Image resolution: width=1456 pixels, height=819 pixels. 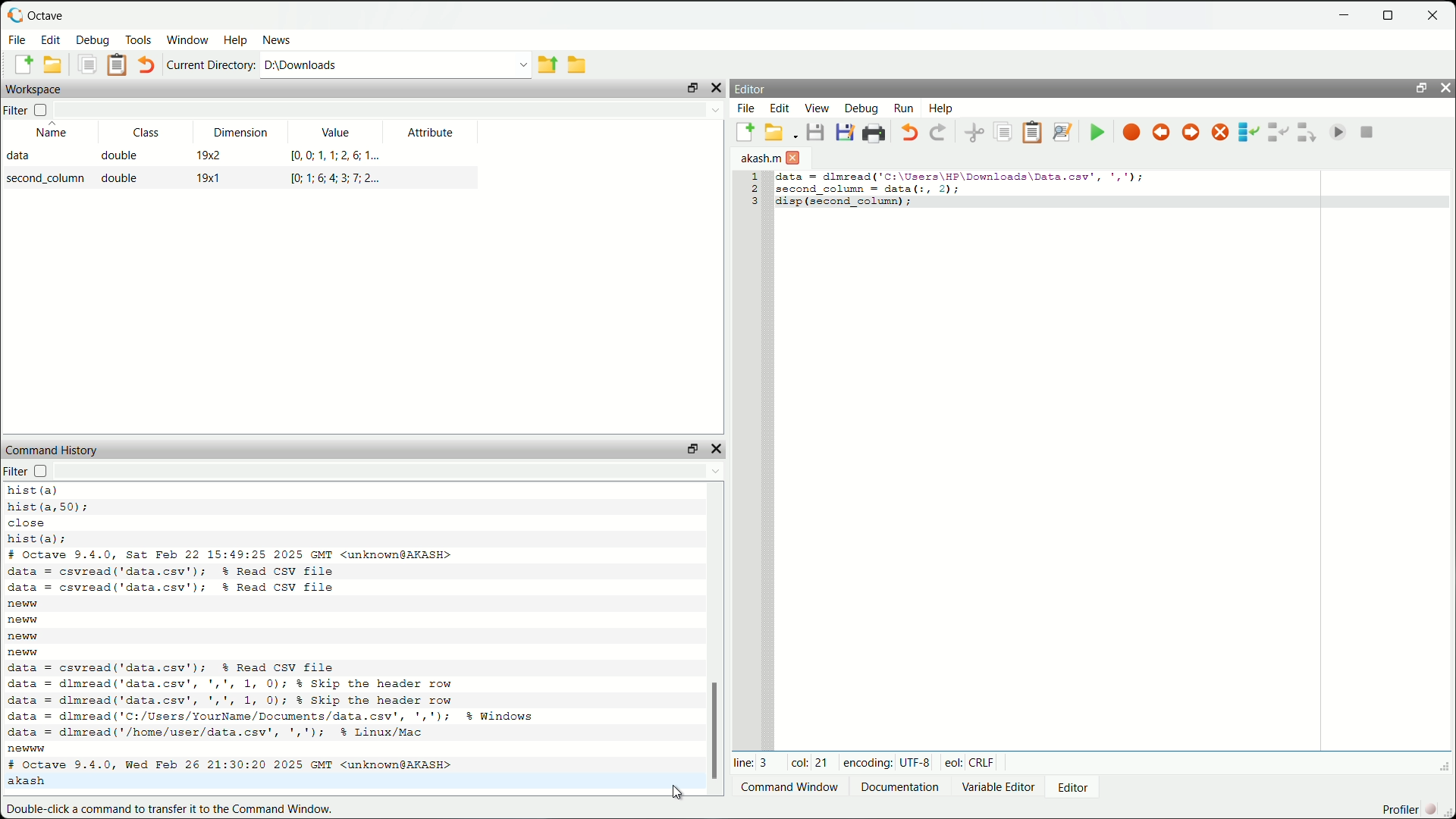 What do you see at coordinates (877, 132) in the screenshot?
I see `print` at bounding box center [877, 132].